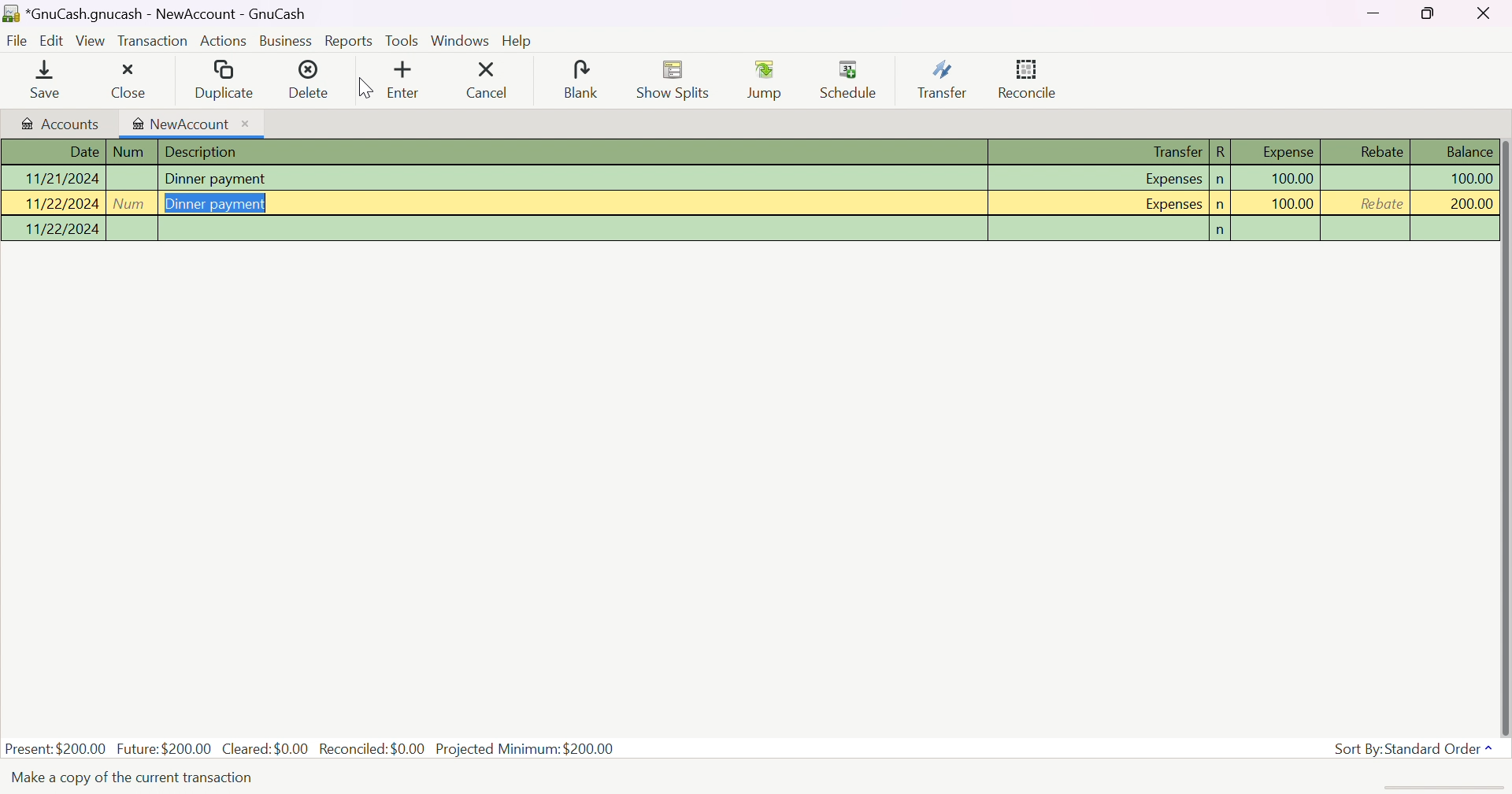  Describe the element at coordinates (60, 178) in the screenshot. I see `11/21/2024` at that location.